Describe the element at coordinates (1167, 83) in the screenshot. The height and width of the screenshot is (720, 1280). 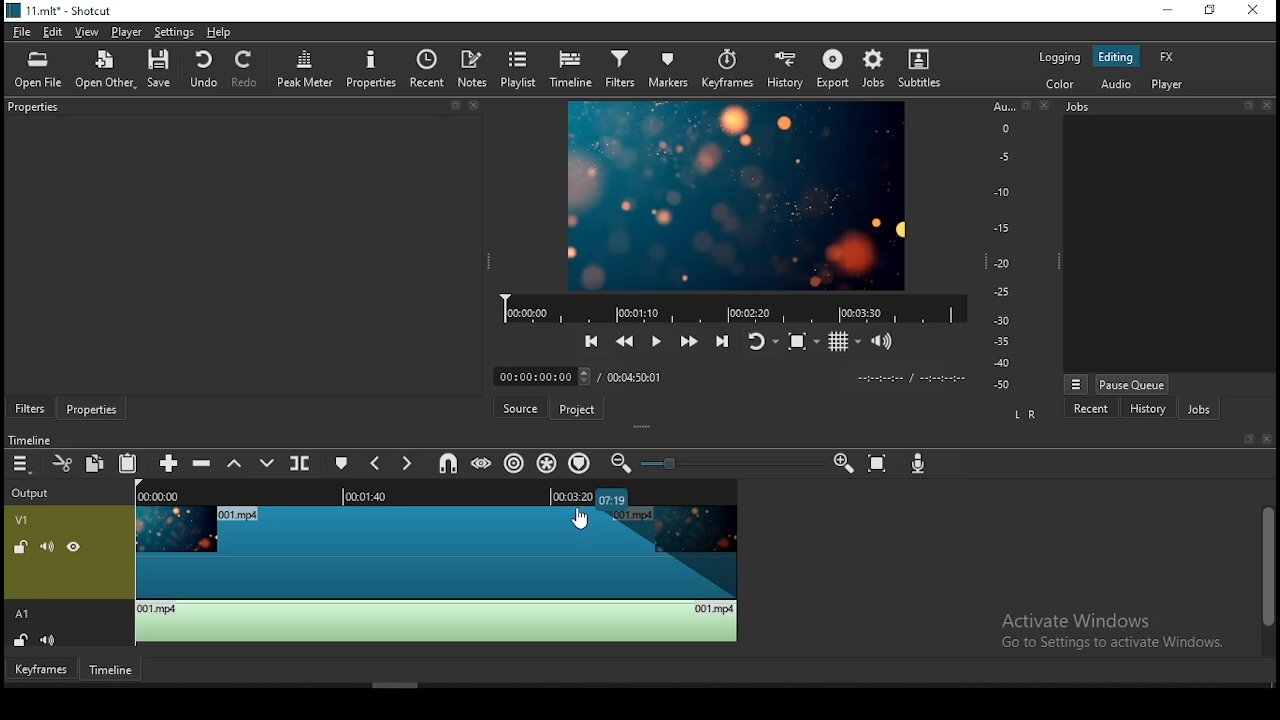
I see `player` at that location.